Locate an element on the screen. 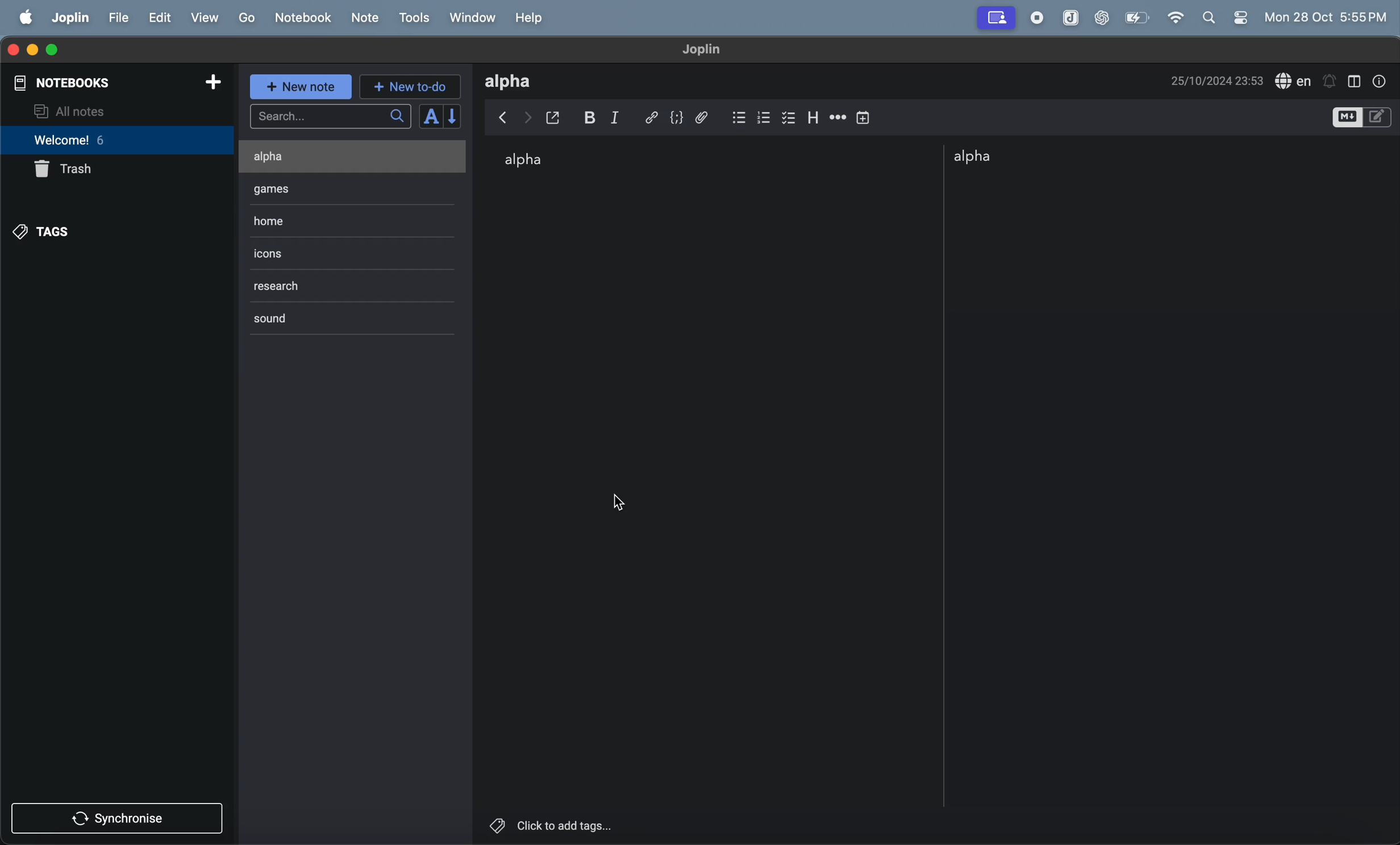 The width and height of the screenshot is (1400, 845). click to add tags is located at coordinates (594, 824).